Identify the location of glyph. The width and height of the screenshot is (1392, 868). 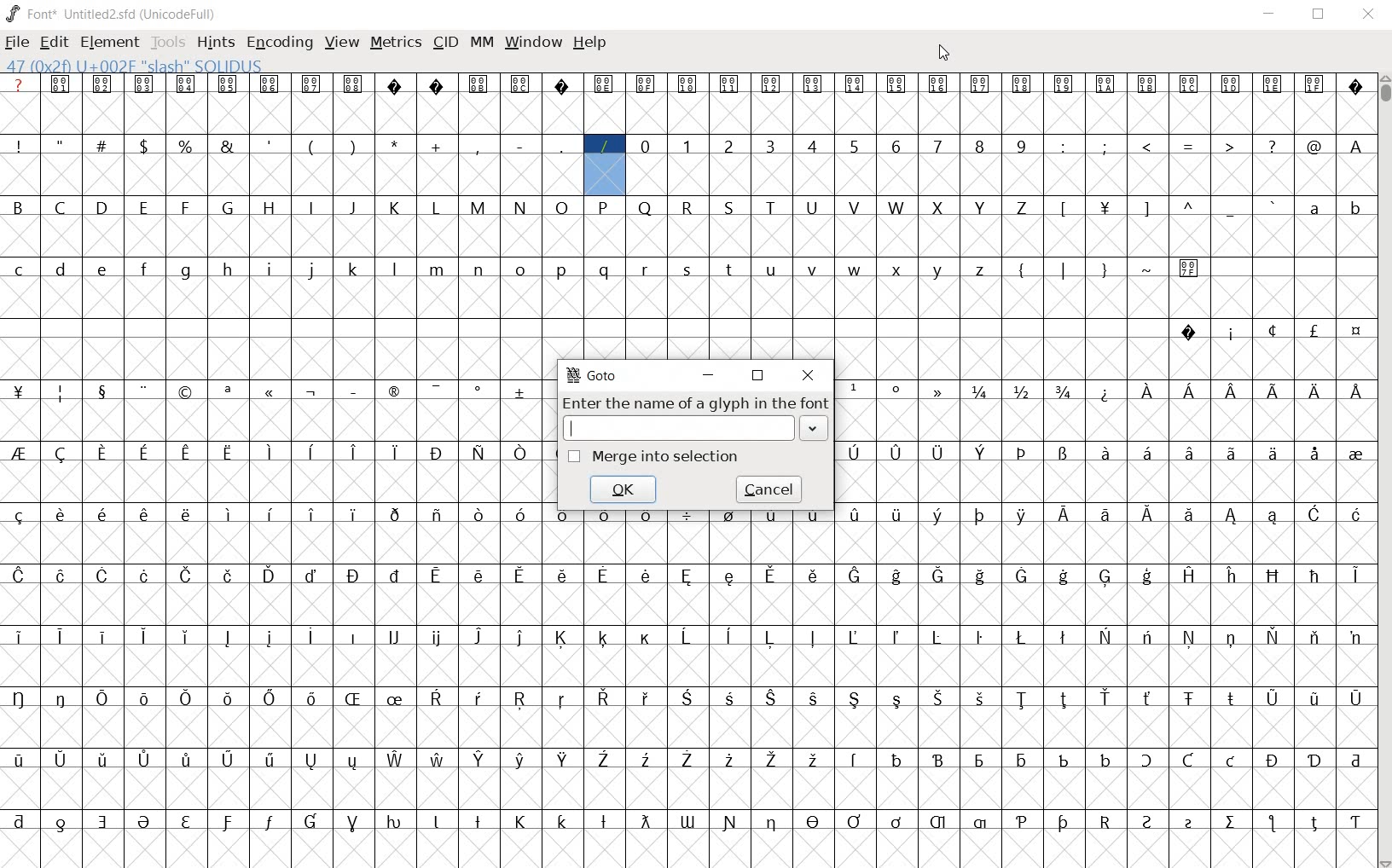
(351, 762).